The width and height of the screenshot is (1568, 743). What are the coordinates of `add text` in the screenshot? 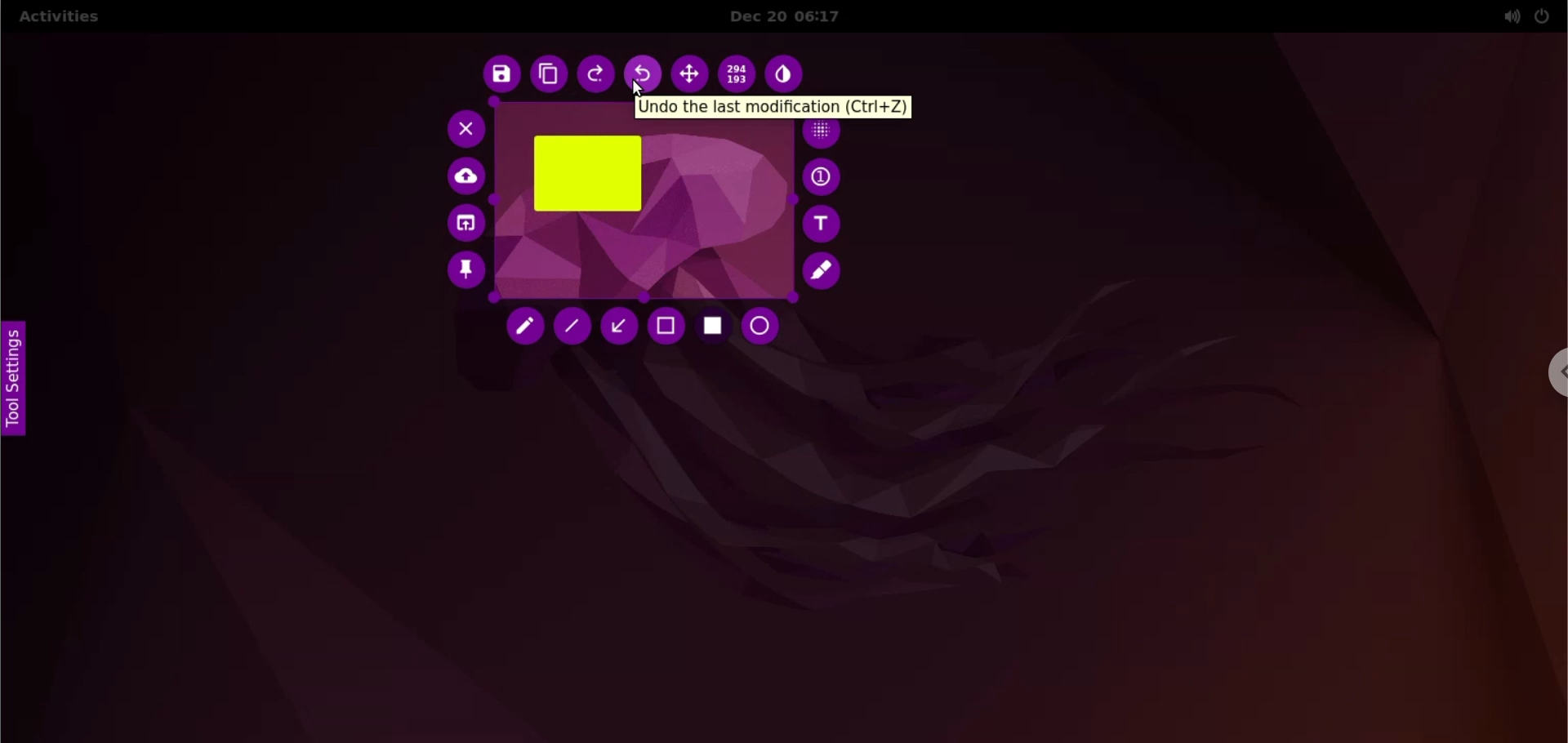 It's located at (824, 224).